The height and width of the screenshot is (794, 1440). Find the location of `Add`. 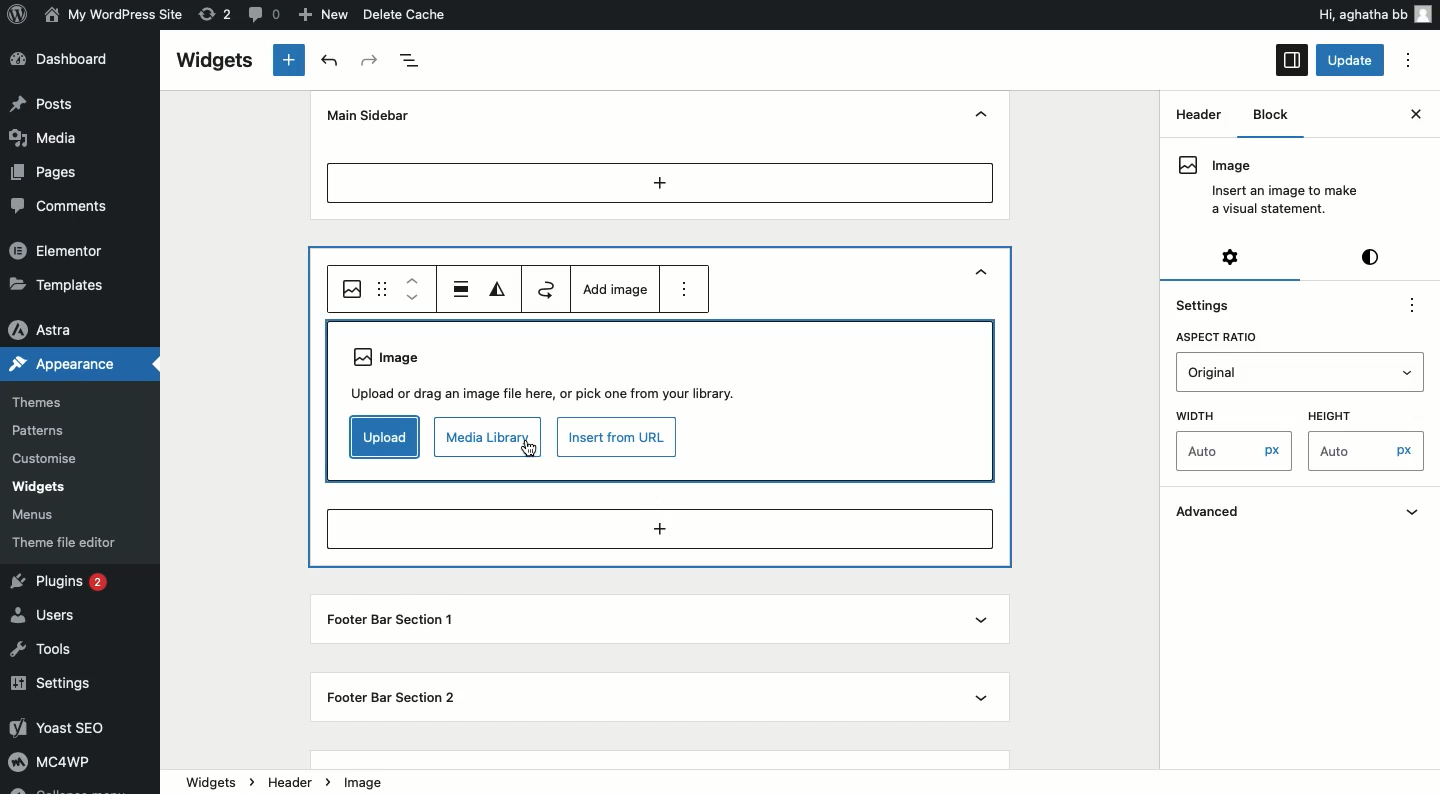

Add is located at coordinates (661, 182).